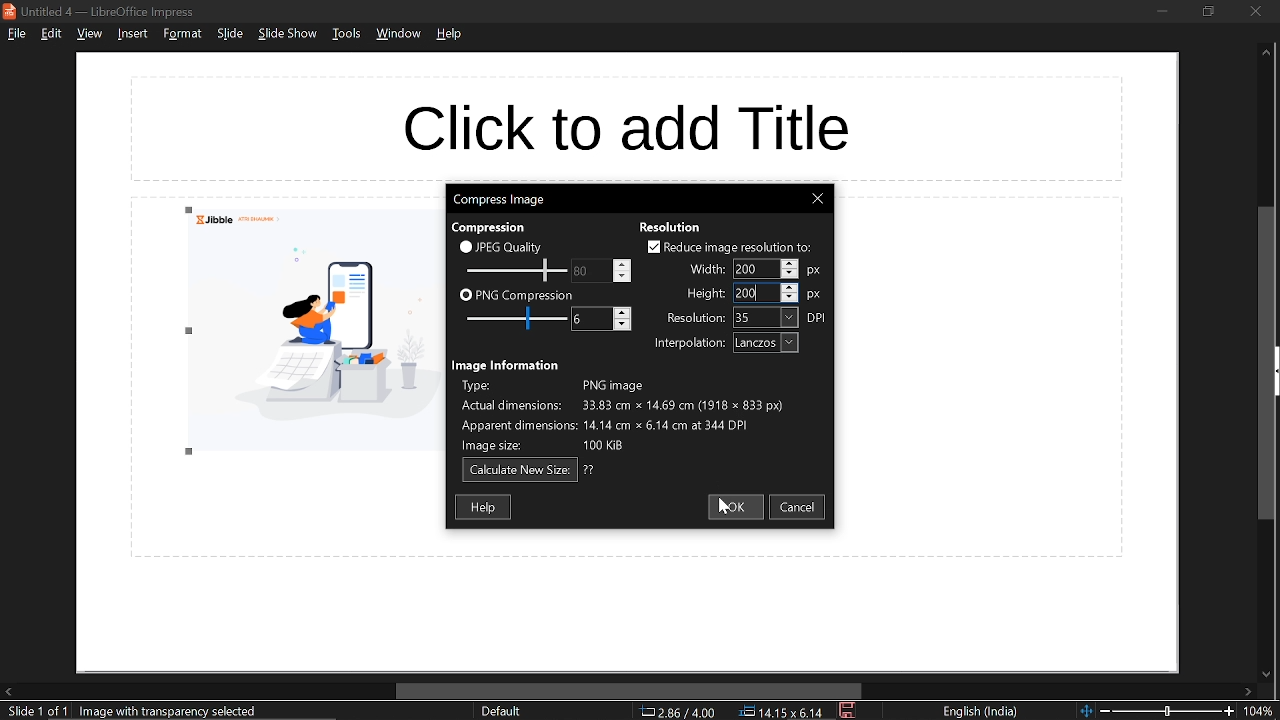  I want to click on increase height, so click(789, 286).